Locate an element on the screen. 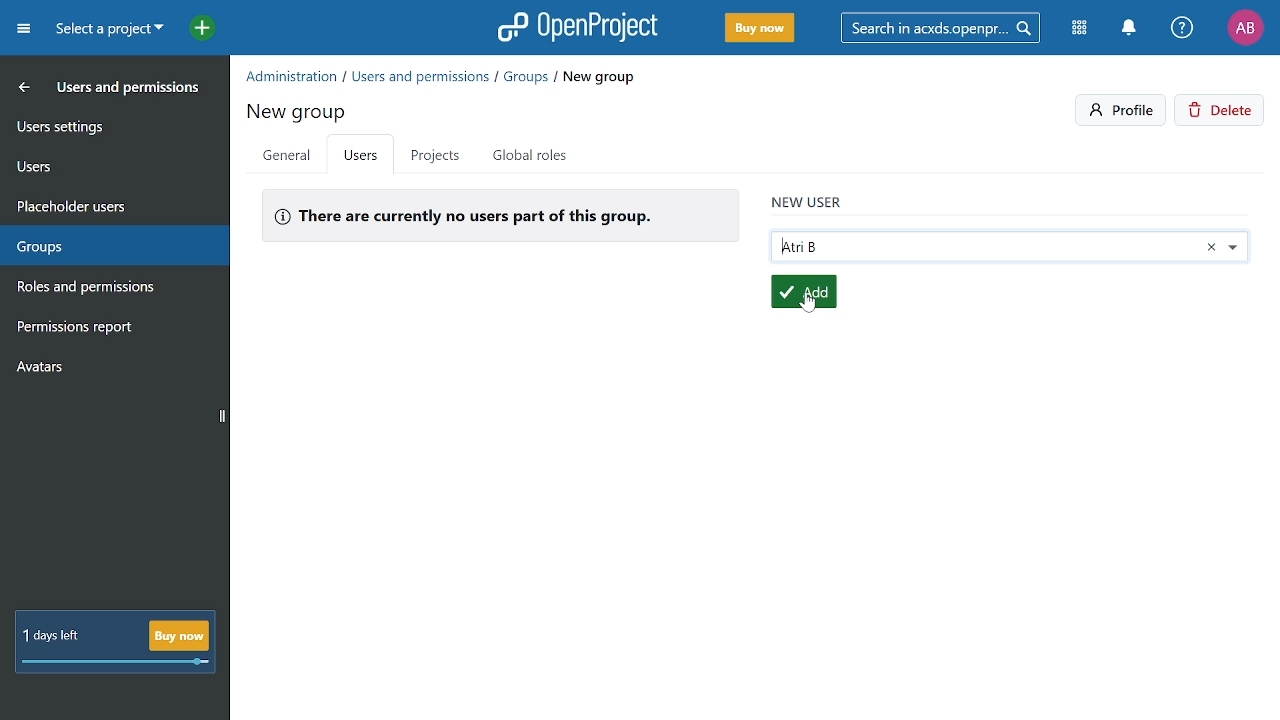  Open project logo is located at coordinates (578, 27).